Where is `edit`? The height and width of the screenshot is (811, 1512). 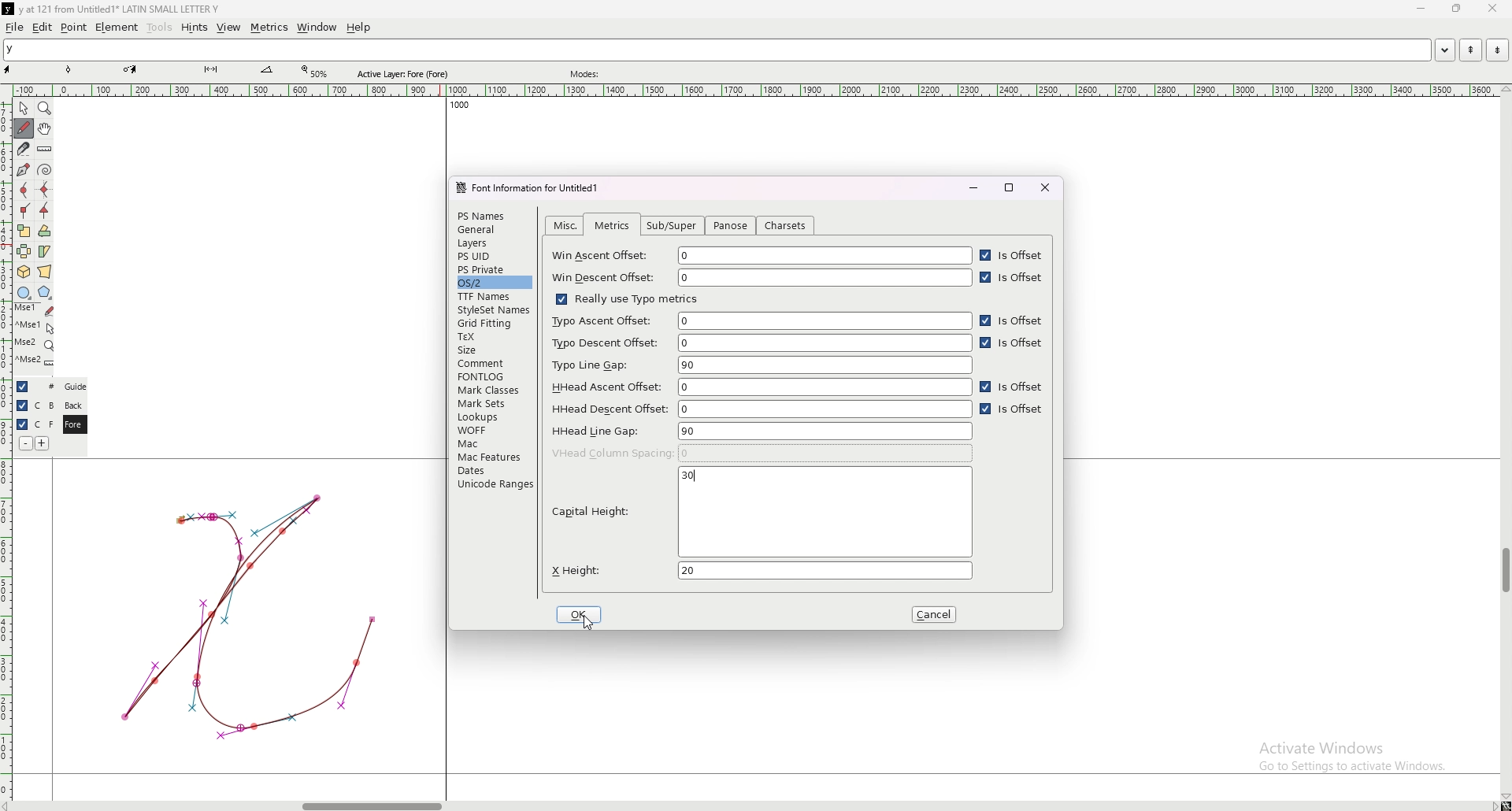
edit is located at coordinates (43, 28).